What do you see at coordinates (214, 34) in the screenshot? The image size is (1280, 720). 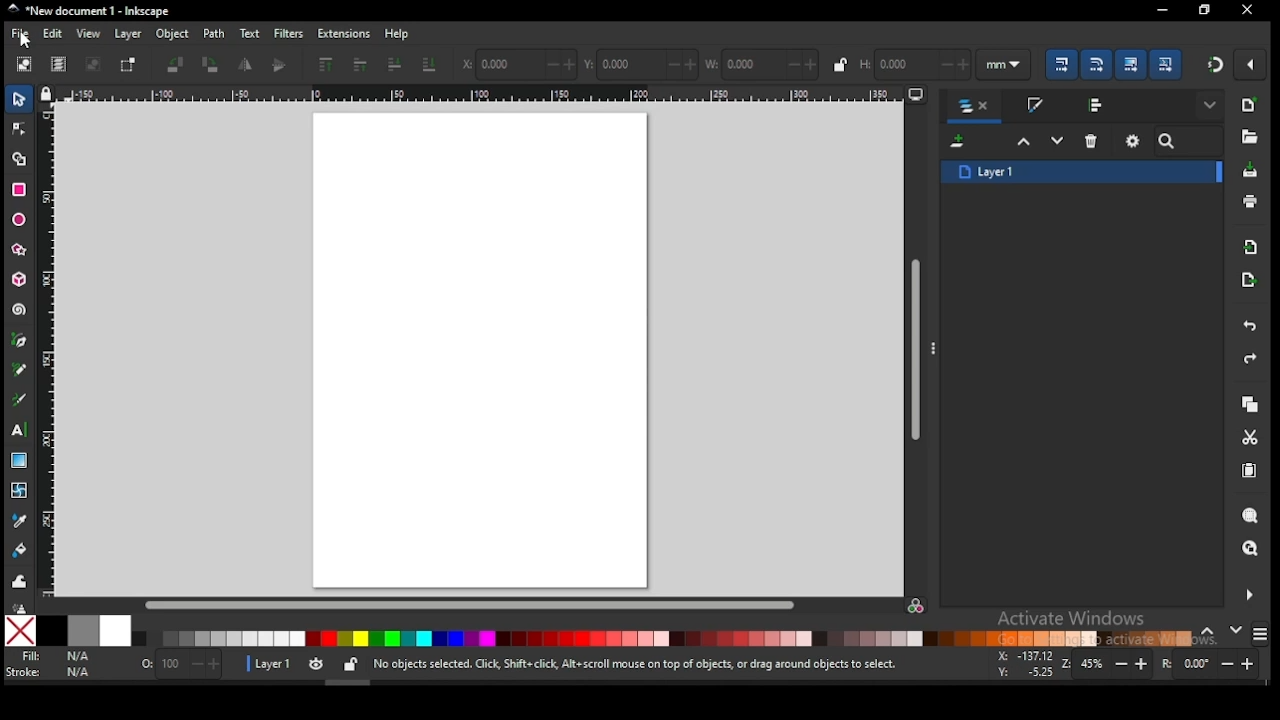 I see `path` at bounding box center [214, 34].